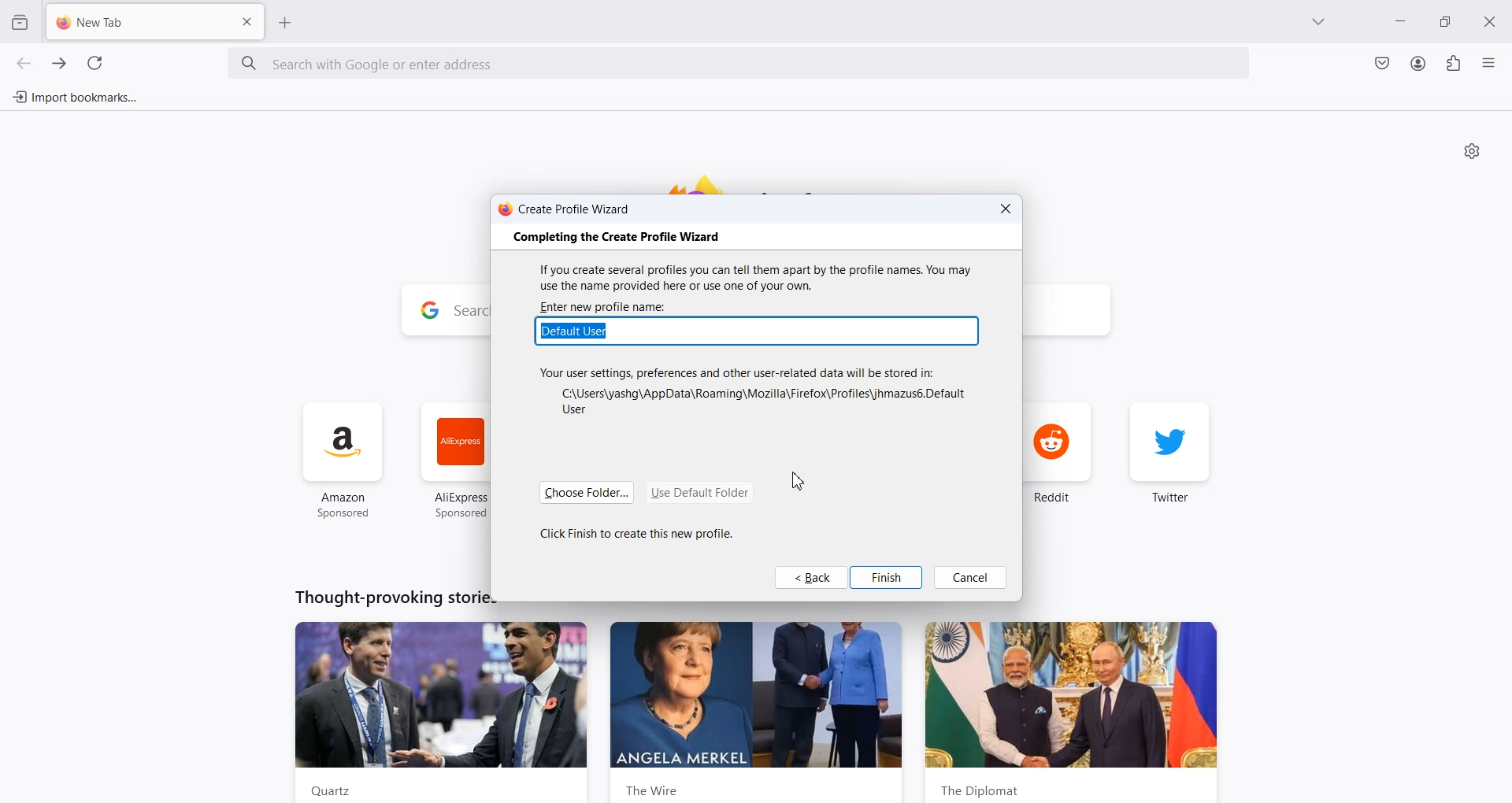  What do you see at coordinates (1380, 63) in the screenshot?
I see `Save to Pocket` at bounding box center [1380, 63].